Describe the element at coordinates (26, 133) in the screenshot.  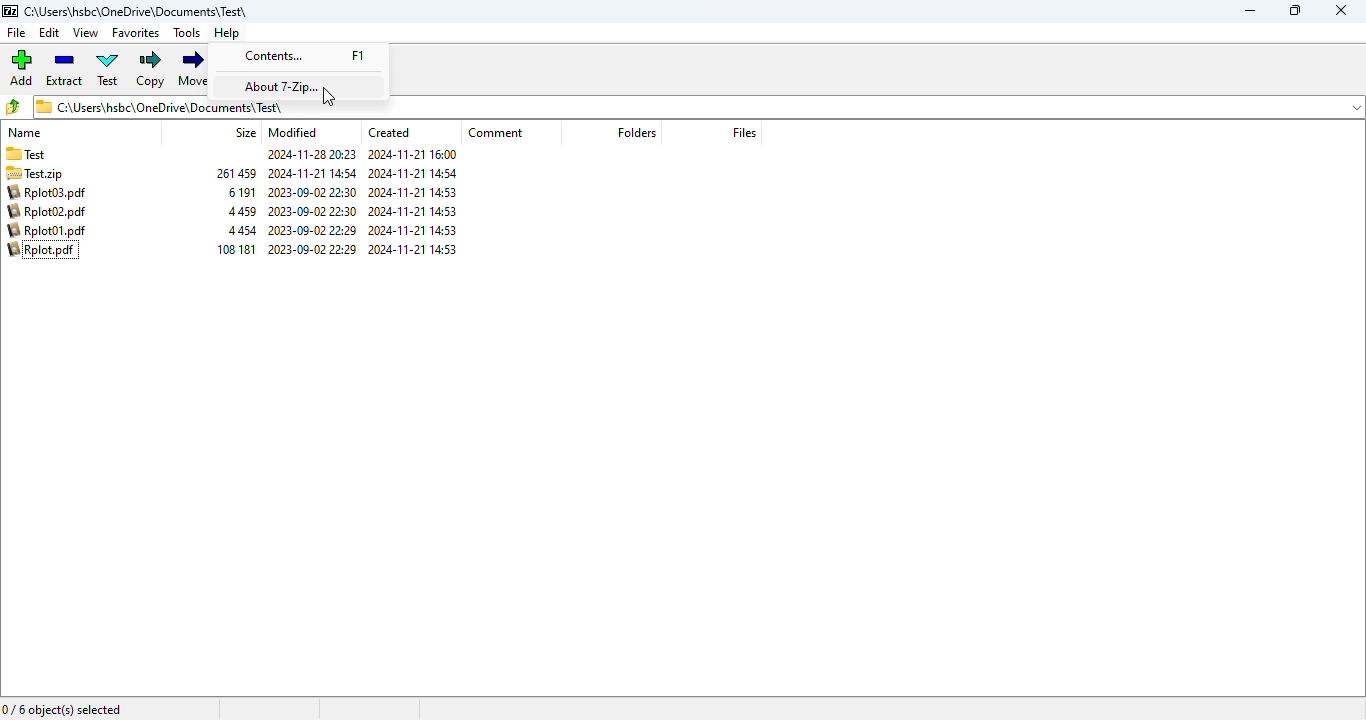
I see `name` at that location.